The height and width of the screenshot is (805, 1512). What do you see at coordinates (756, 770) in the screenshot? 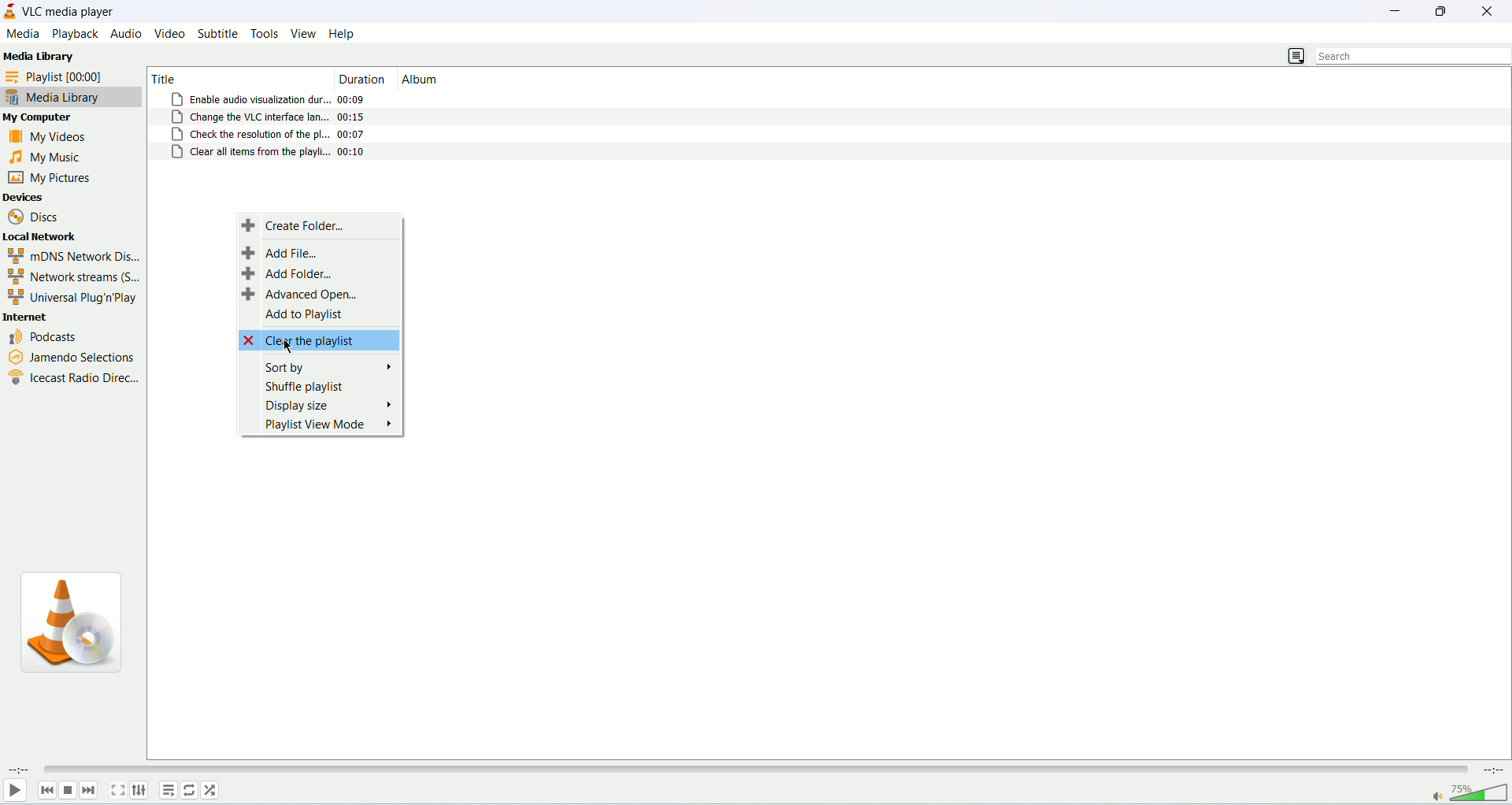
I see `progress bar` at bounding box center [756, 770].